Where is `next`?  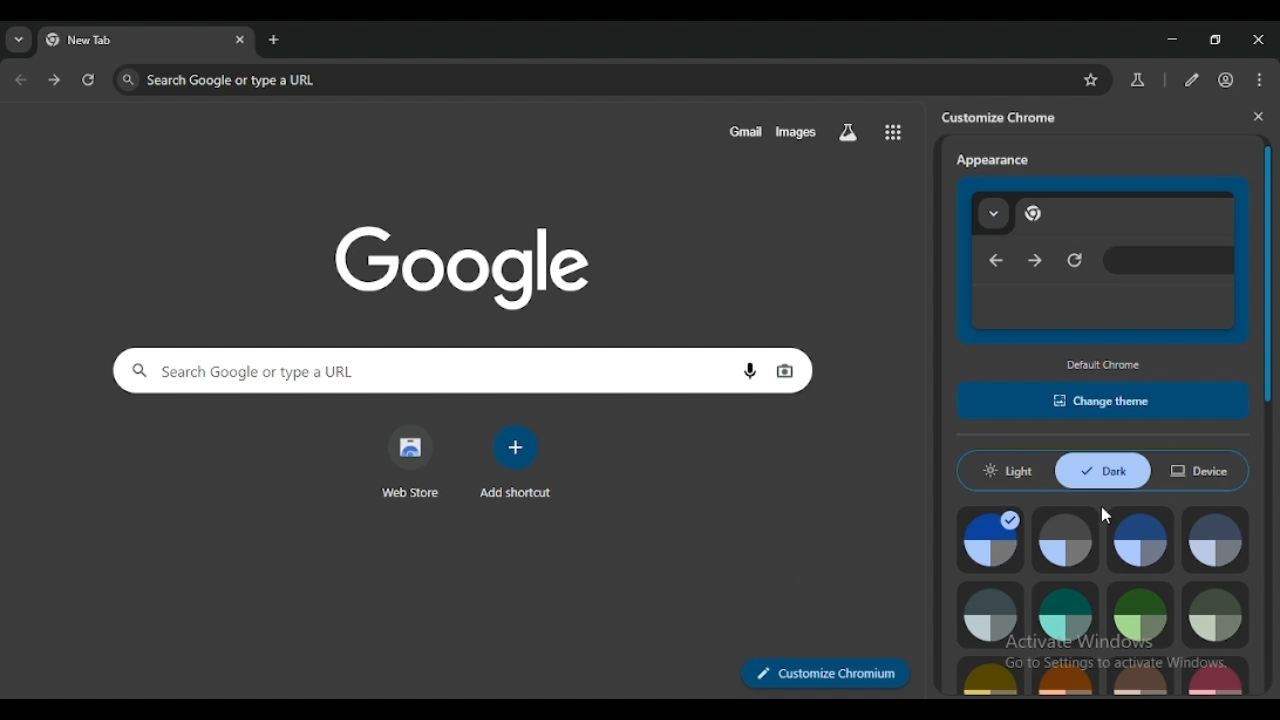 next is located at coordinates (1036, 263).